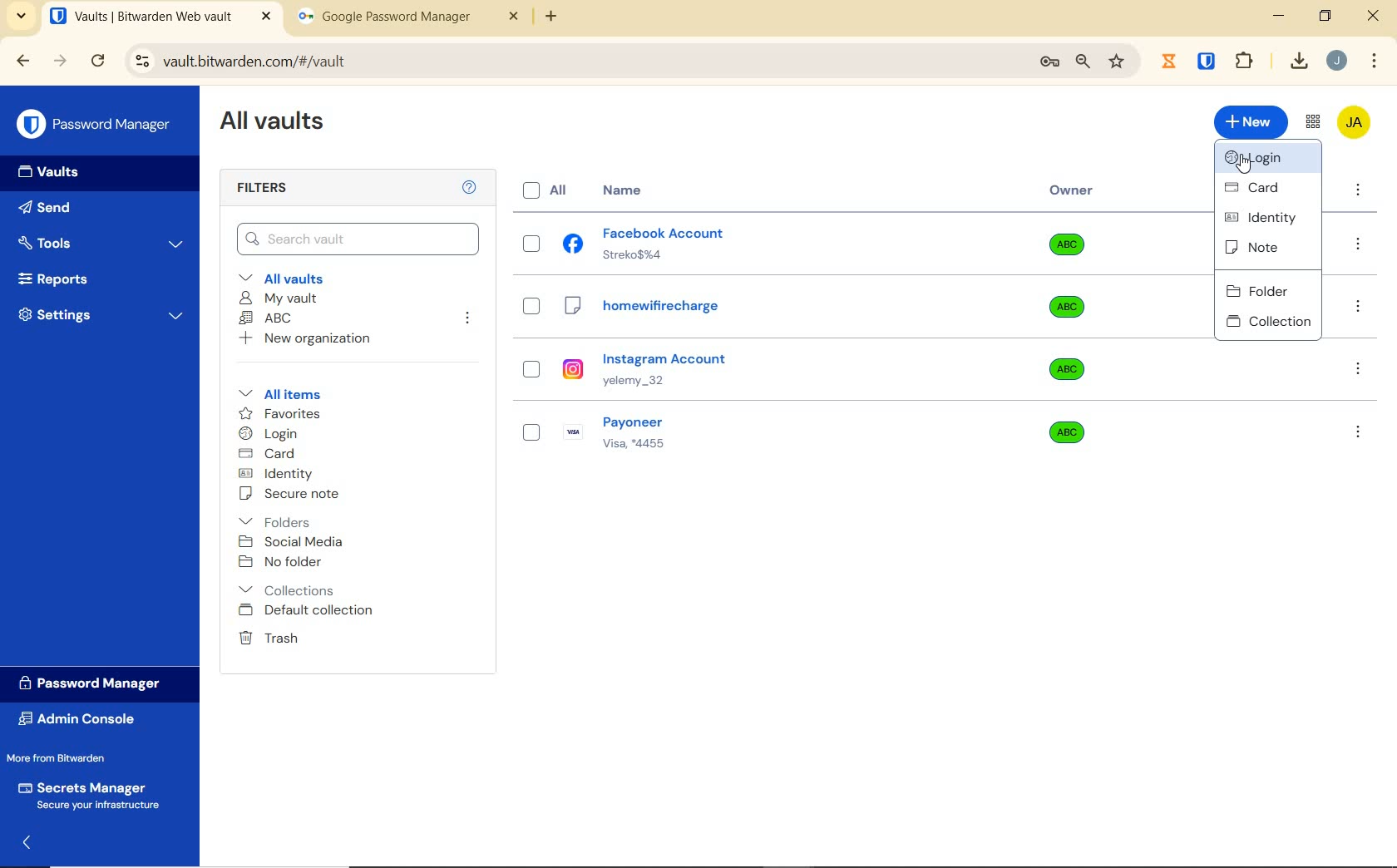  What do you see at coordinates (22, 61) in the screenshot?
I see `backward` at bounding box center [22, 61].